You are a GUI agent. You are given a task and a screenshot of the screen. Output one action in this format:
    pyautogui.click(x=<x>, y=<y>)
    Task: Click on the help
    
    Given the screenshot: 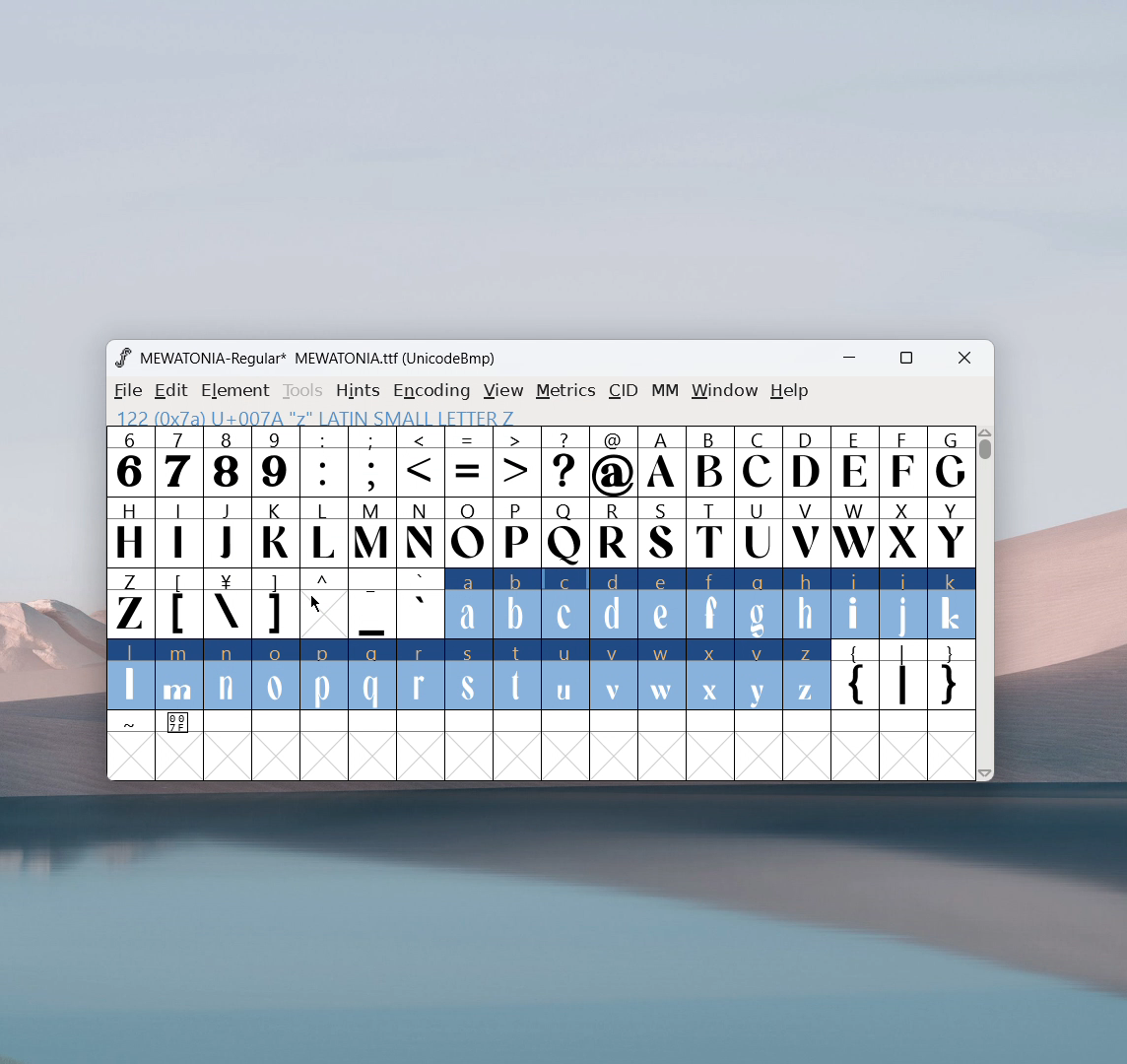 What is the action you would take?
    pyautogui.click(x=790, y=391)
    